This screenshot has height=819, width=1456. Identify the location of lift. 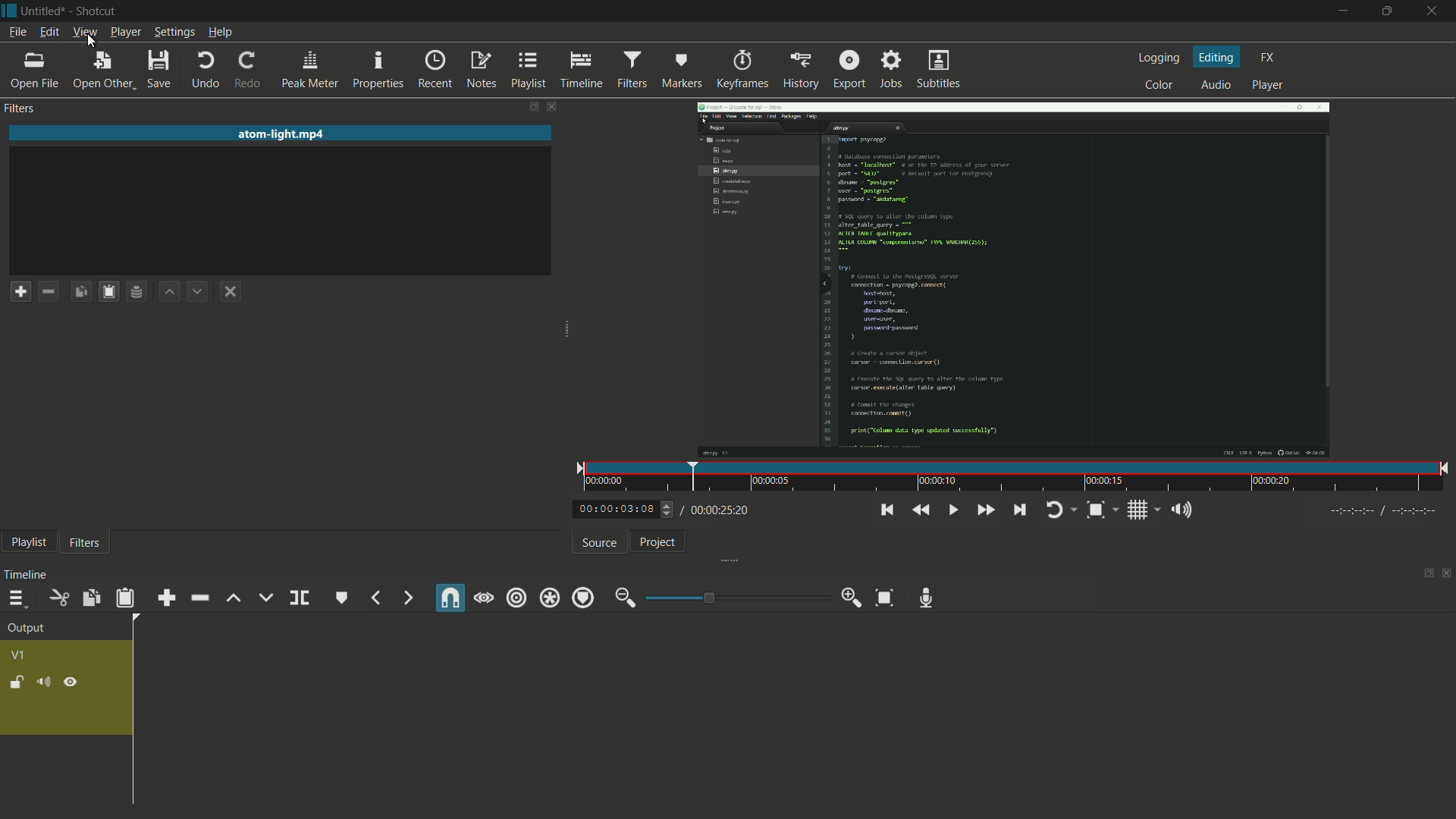
(232, 598).